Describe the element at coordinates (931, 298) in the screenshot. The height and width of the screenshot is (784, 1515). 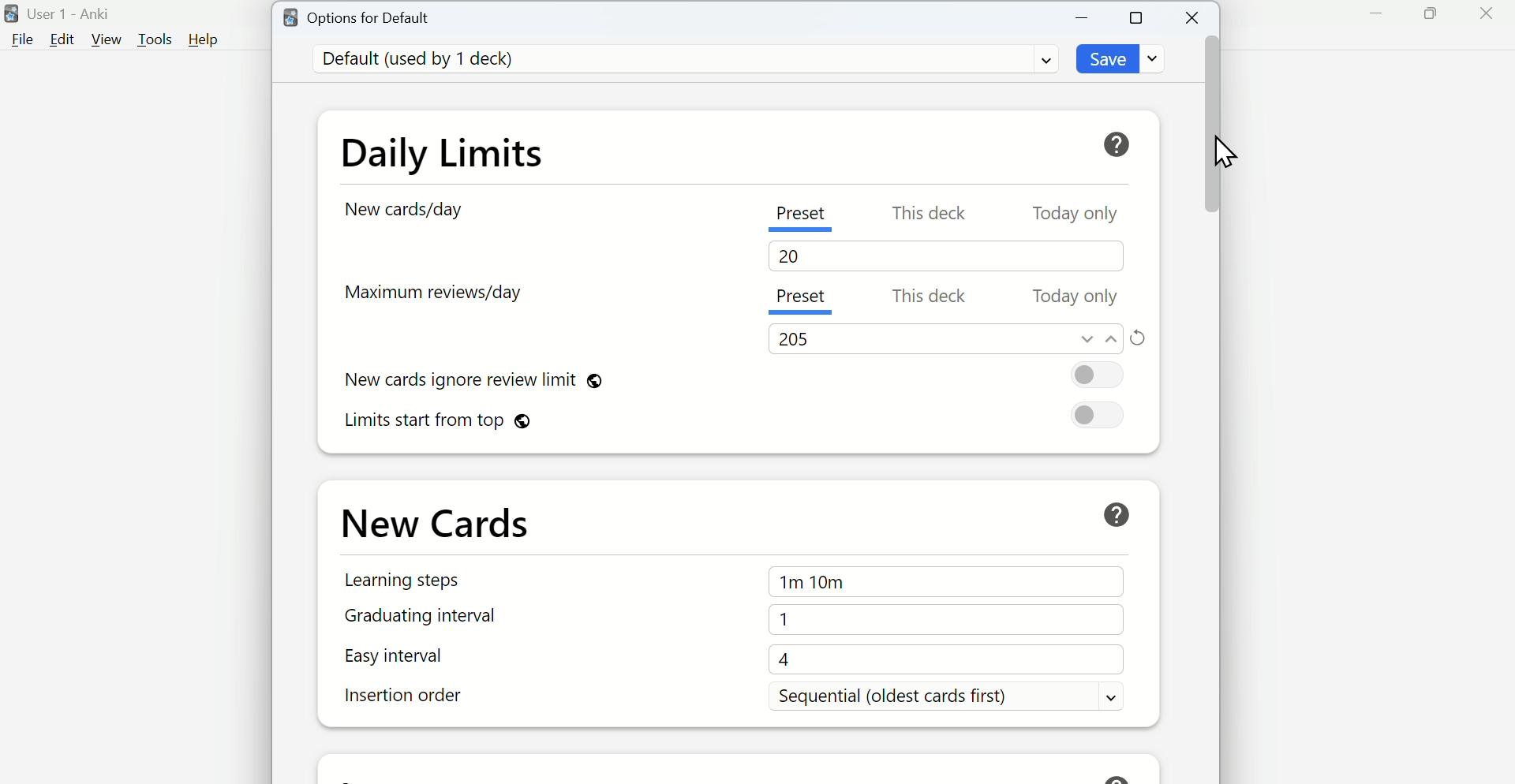
I see `This deck` at that location.